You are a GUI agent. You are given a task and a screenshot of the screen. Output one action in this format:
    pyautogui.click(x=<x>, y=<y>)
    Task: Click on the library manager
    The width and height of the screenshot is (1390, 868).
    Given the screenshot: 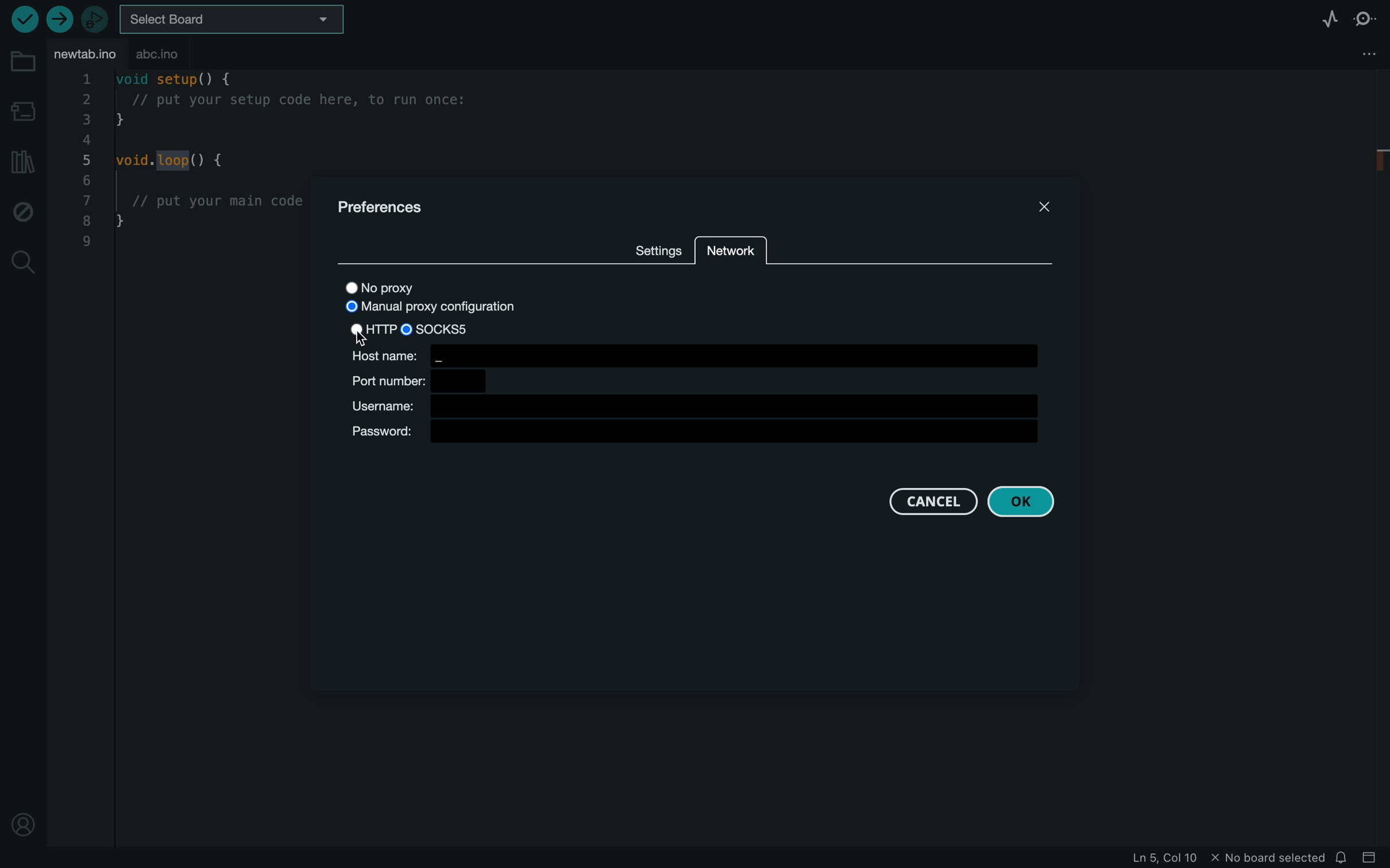 What is the action you would take?
    pyautogui.click(x=20, y=161)
    